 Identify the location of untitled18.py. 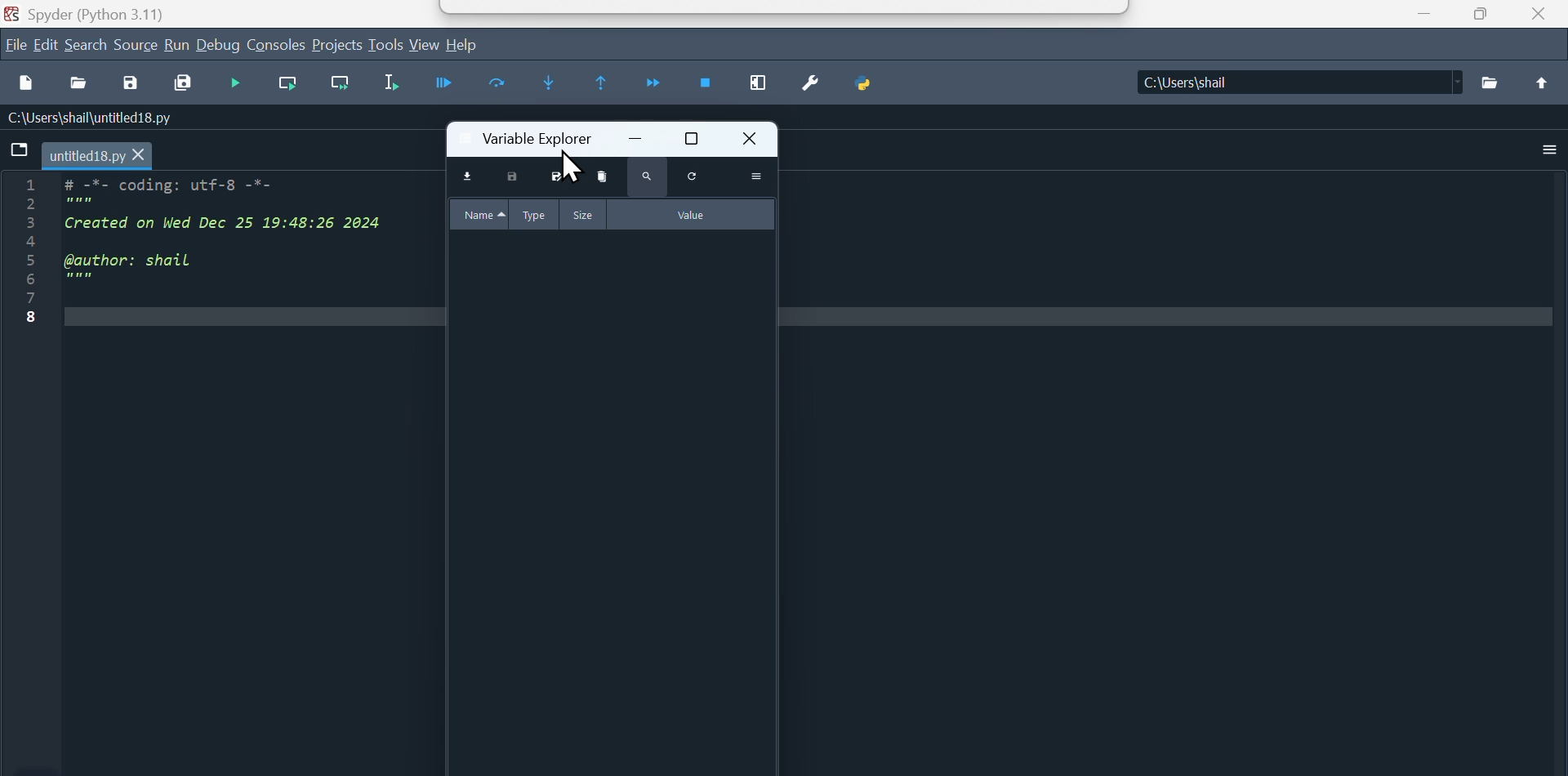
(103, 156).